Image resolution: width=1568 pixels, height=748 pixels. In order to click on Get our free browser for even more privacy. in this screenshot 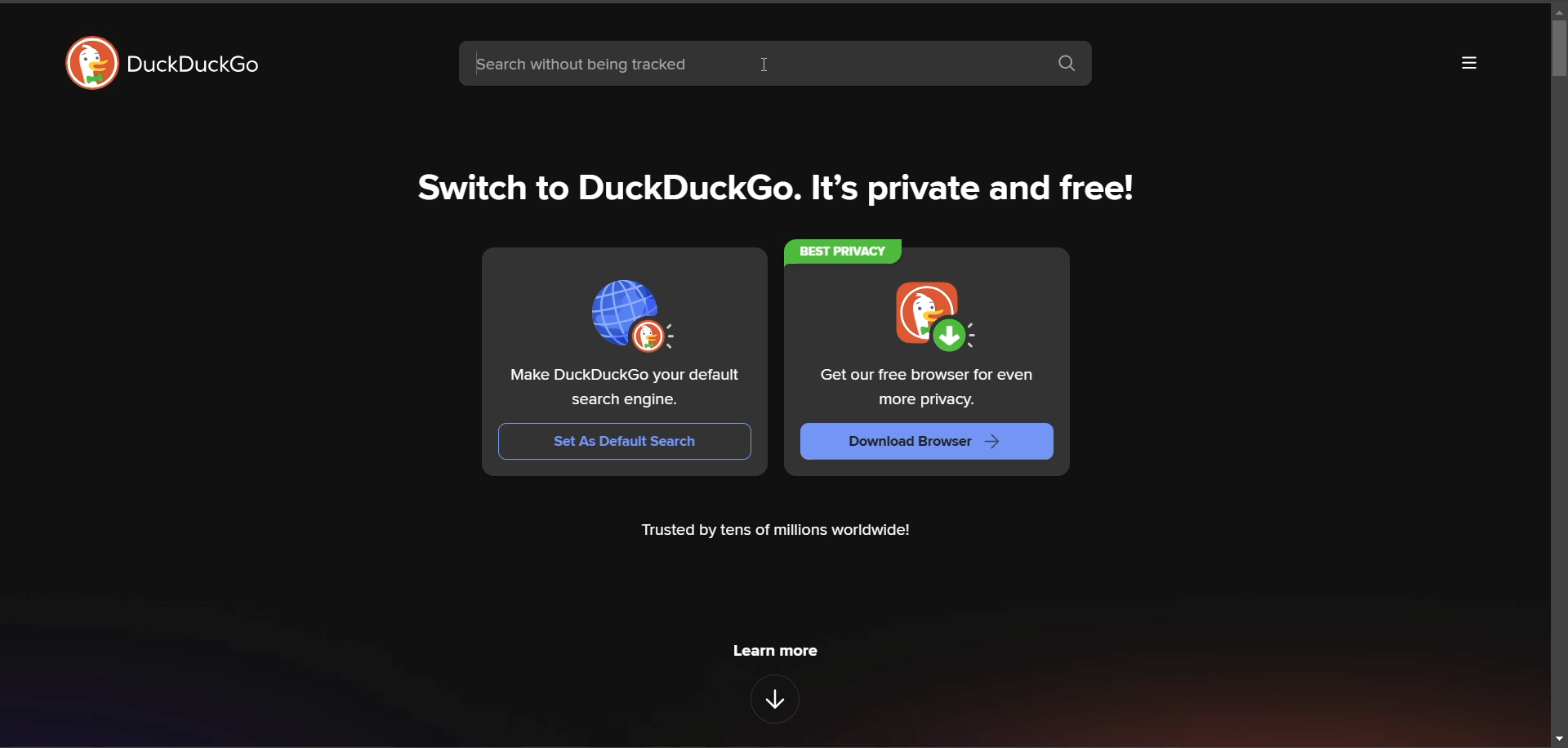, I will do `click(930, 385)`.